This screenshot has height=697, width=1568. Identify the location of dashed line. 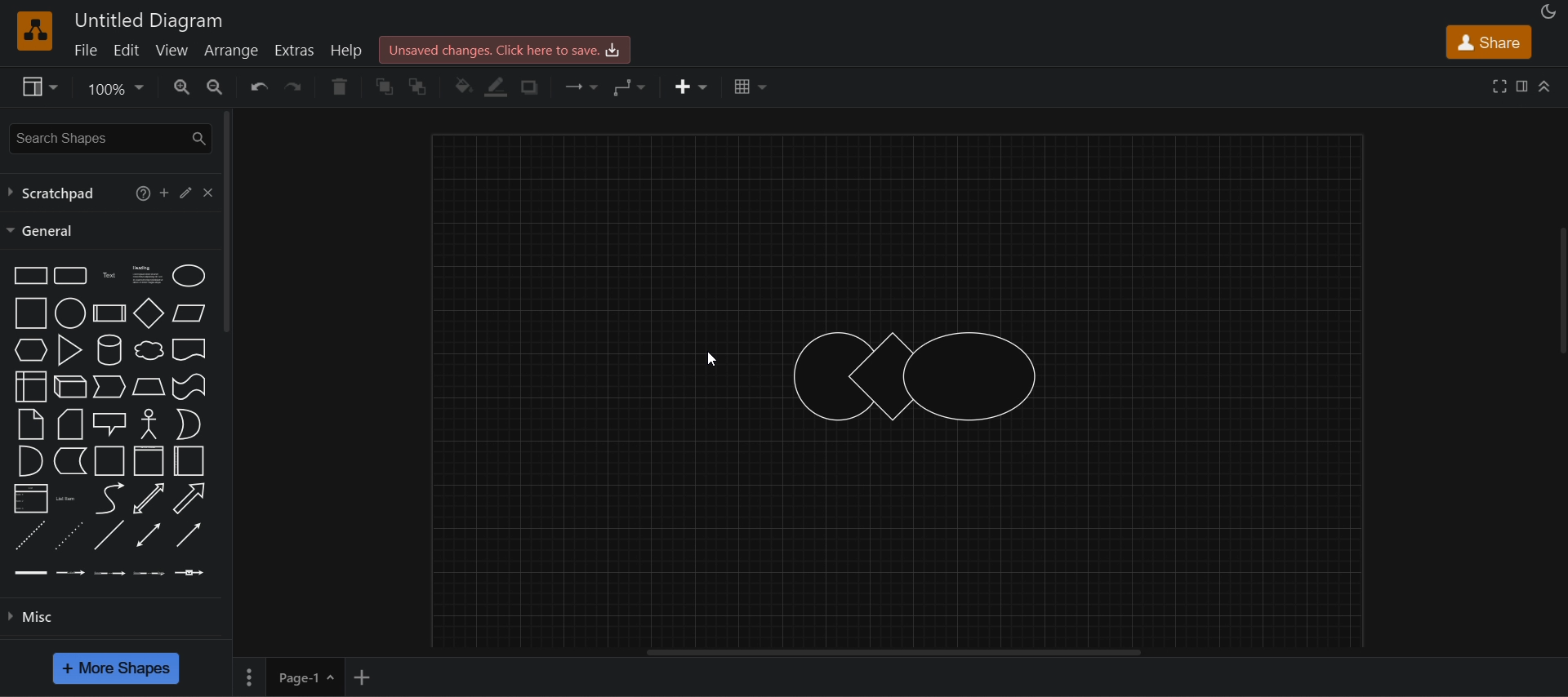
(28, 535).